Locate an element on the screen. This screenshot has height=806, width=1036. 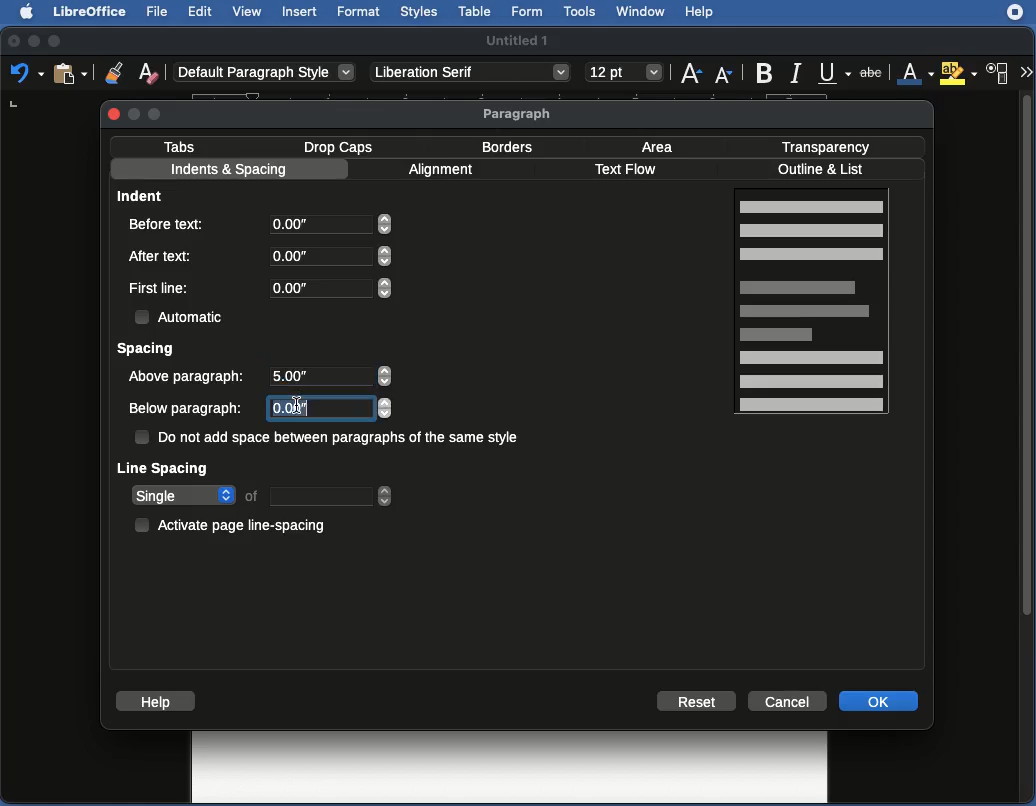
Form is located at coordinates (529, 13).